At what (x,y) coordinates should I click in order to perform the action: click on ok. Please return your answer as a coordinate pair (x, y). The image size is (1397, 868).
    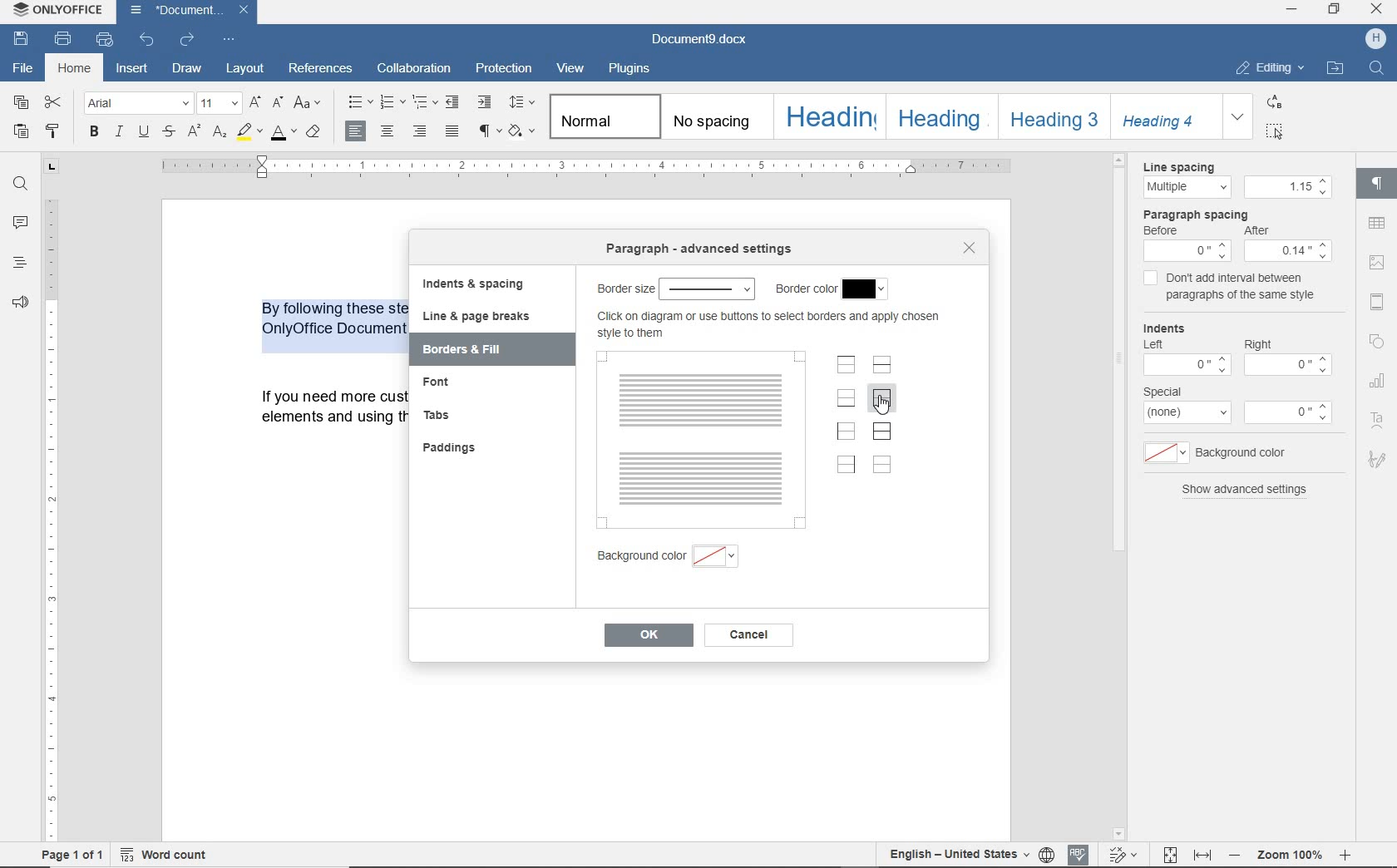
    Looking at the image, I should click on (647, 636).